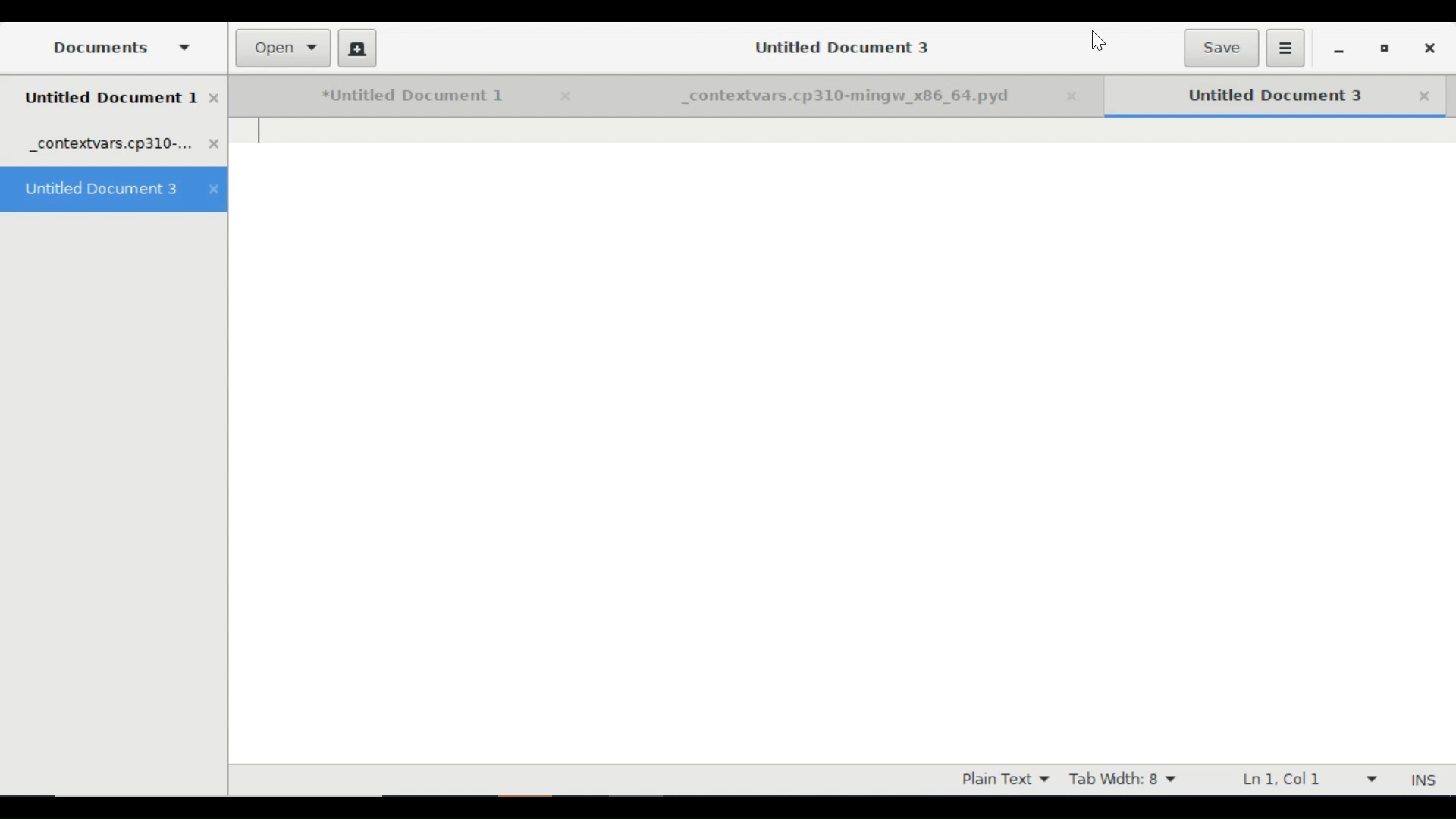  I want to click on Close, so click(1425, 96).